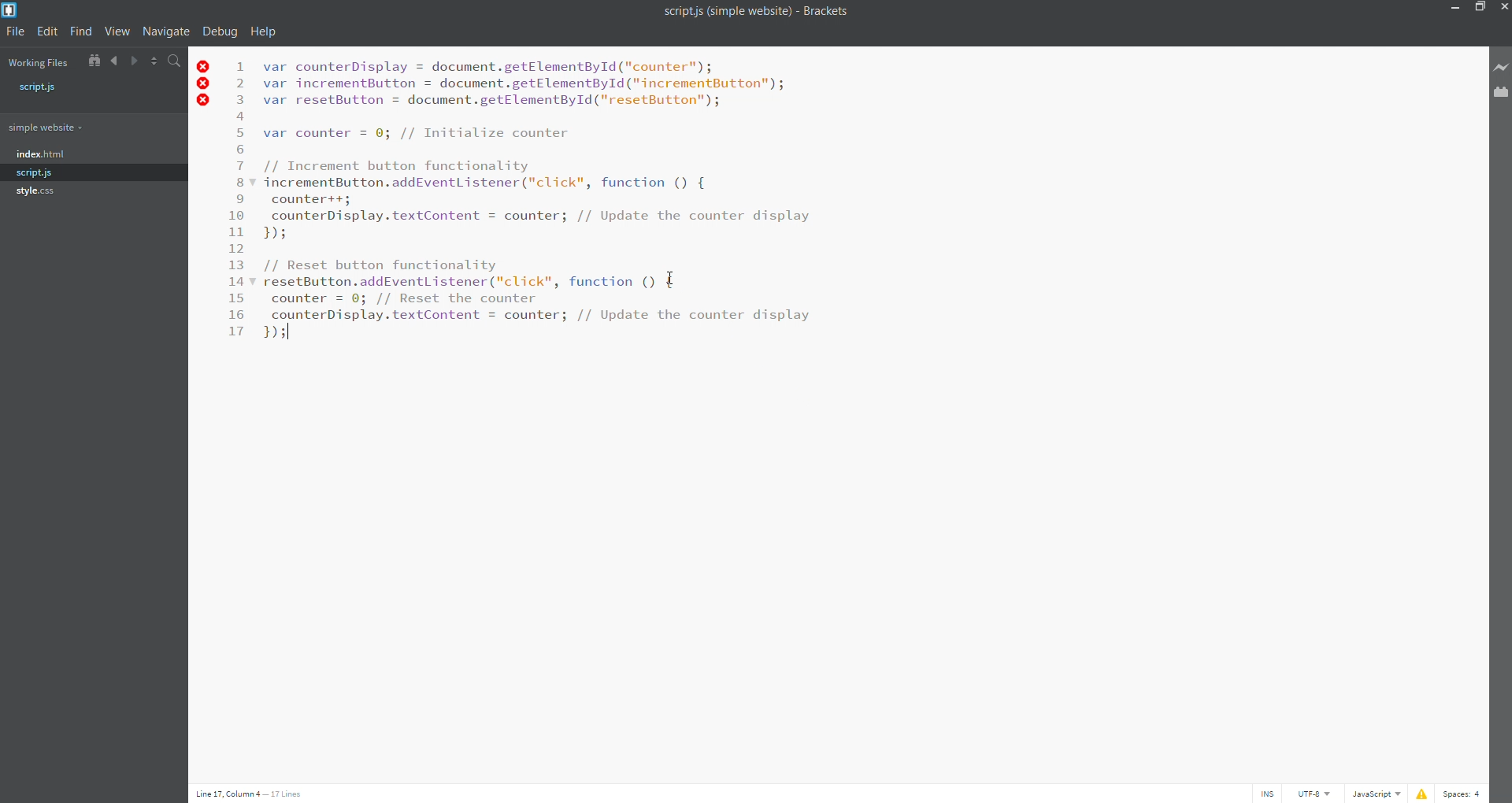 The width and height of the screenshot is (1512, 803). What do you see at coordinates (13, 13) in the screenshot?
I see `logo` at bounding box center [13, 13].